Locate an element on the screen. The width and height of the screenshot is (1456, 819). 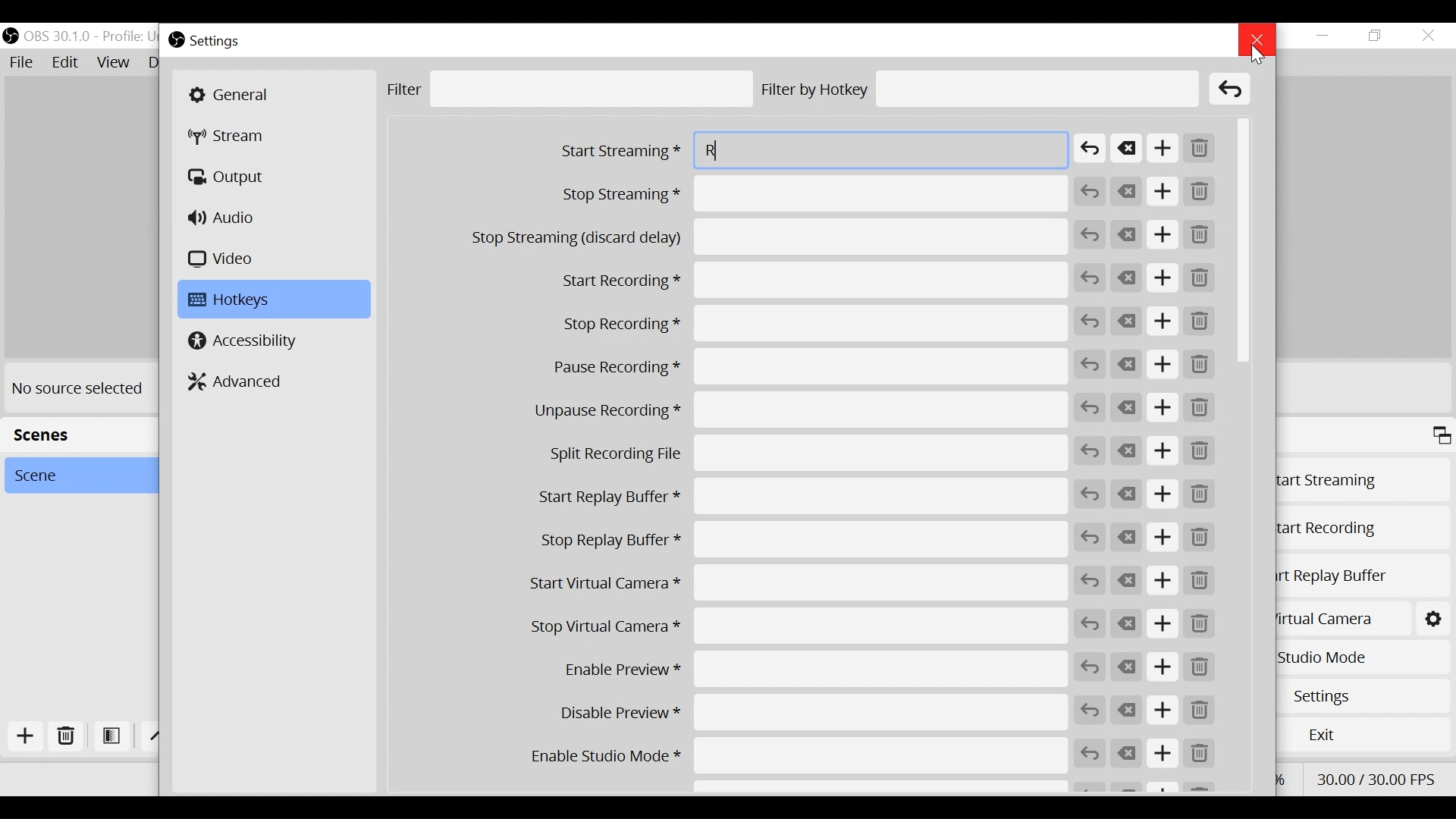
Add is located at coordinates (1163, 625).